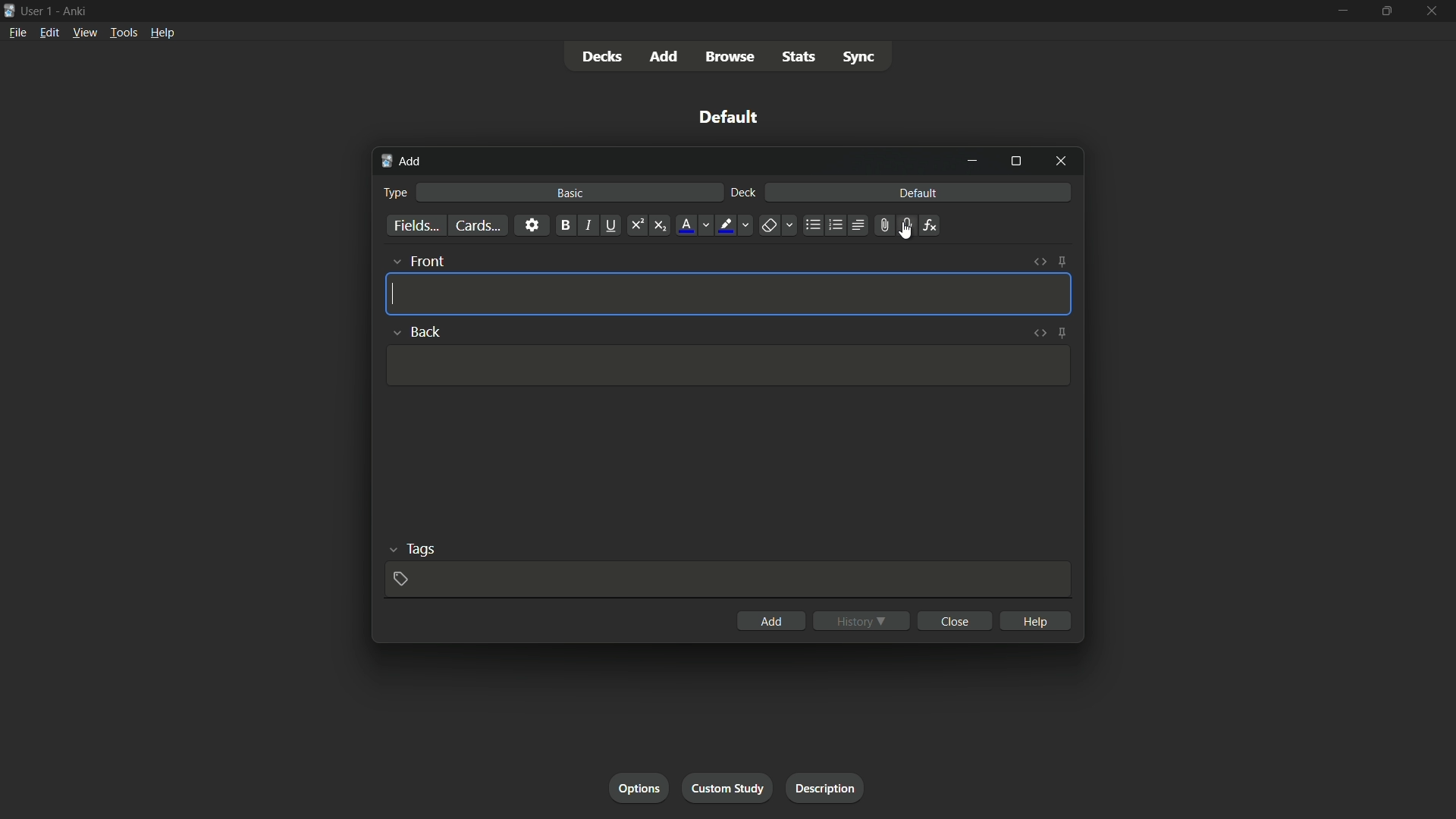 The height and width of the screenshot is (819, 1456). Describe the element at coordinates (588, 227) in the screenshot. I see `italic` at that location.